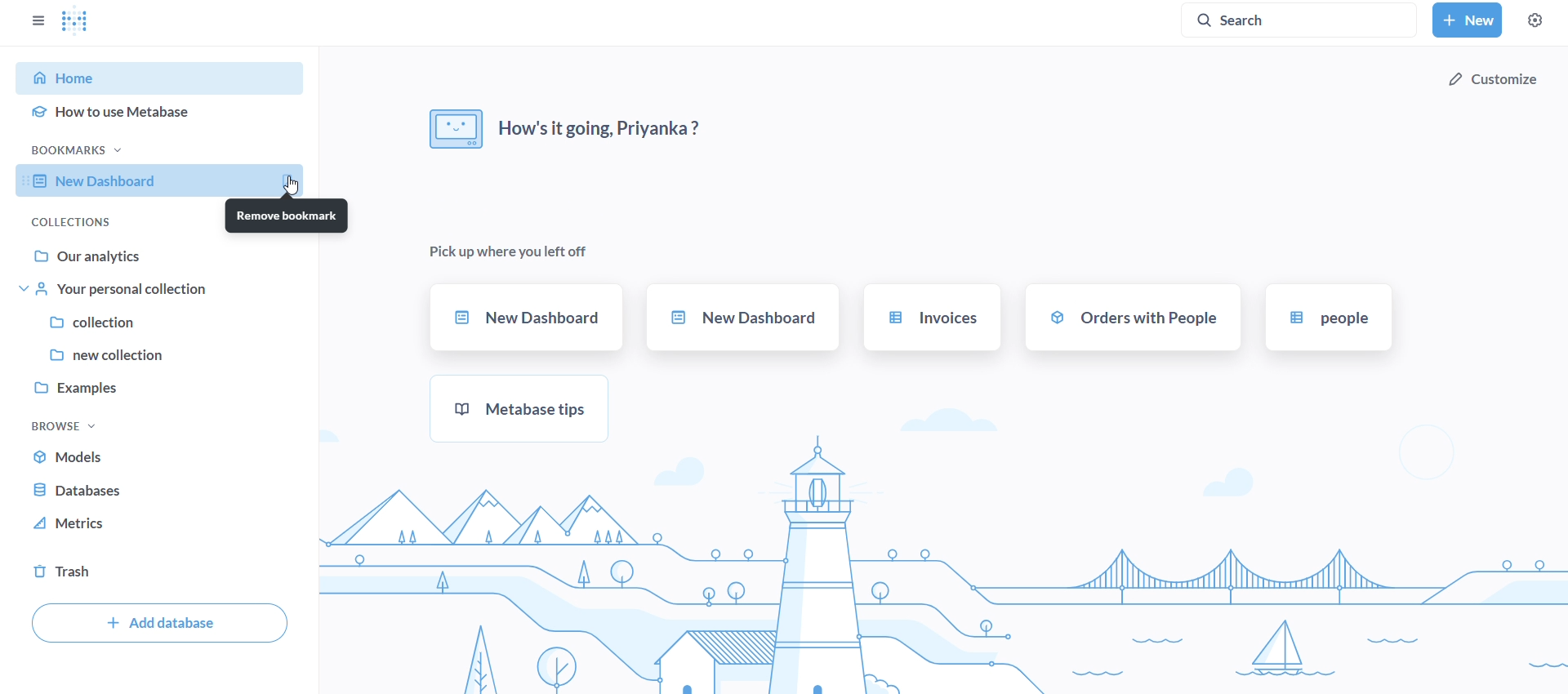 This screenshot has width=1568, height=694. I want to click on customize, so click(1493, 80).